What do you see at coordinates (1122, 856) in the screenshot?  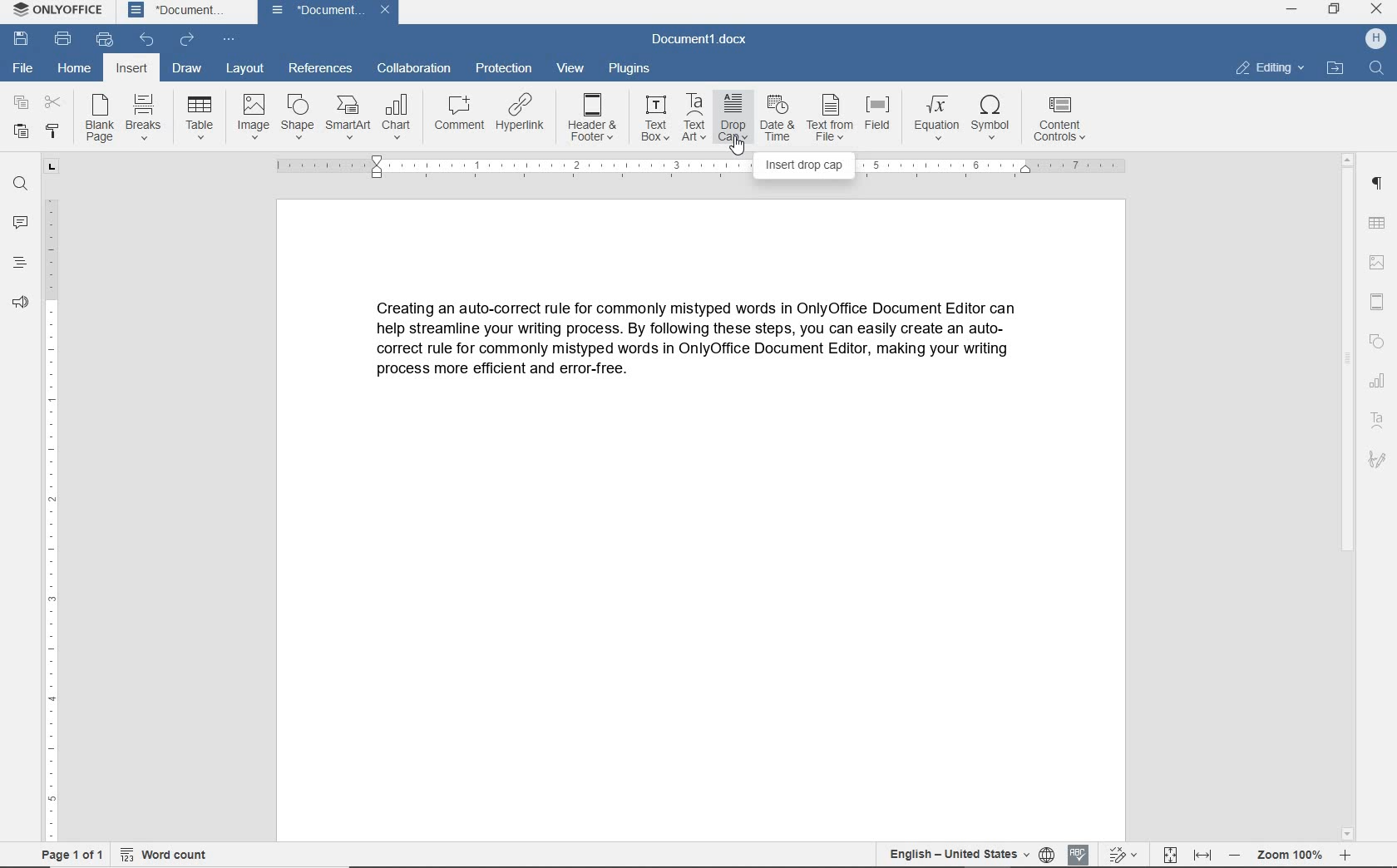 I see `track changes` at bounding box center [1122, 856].